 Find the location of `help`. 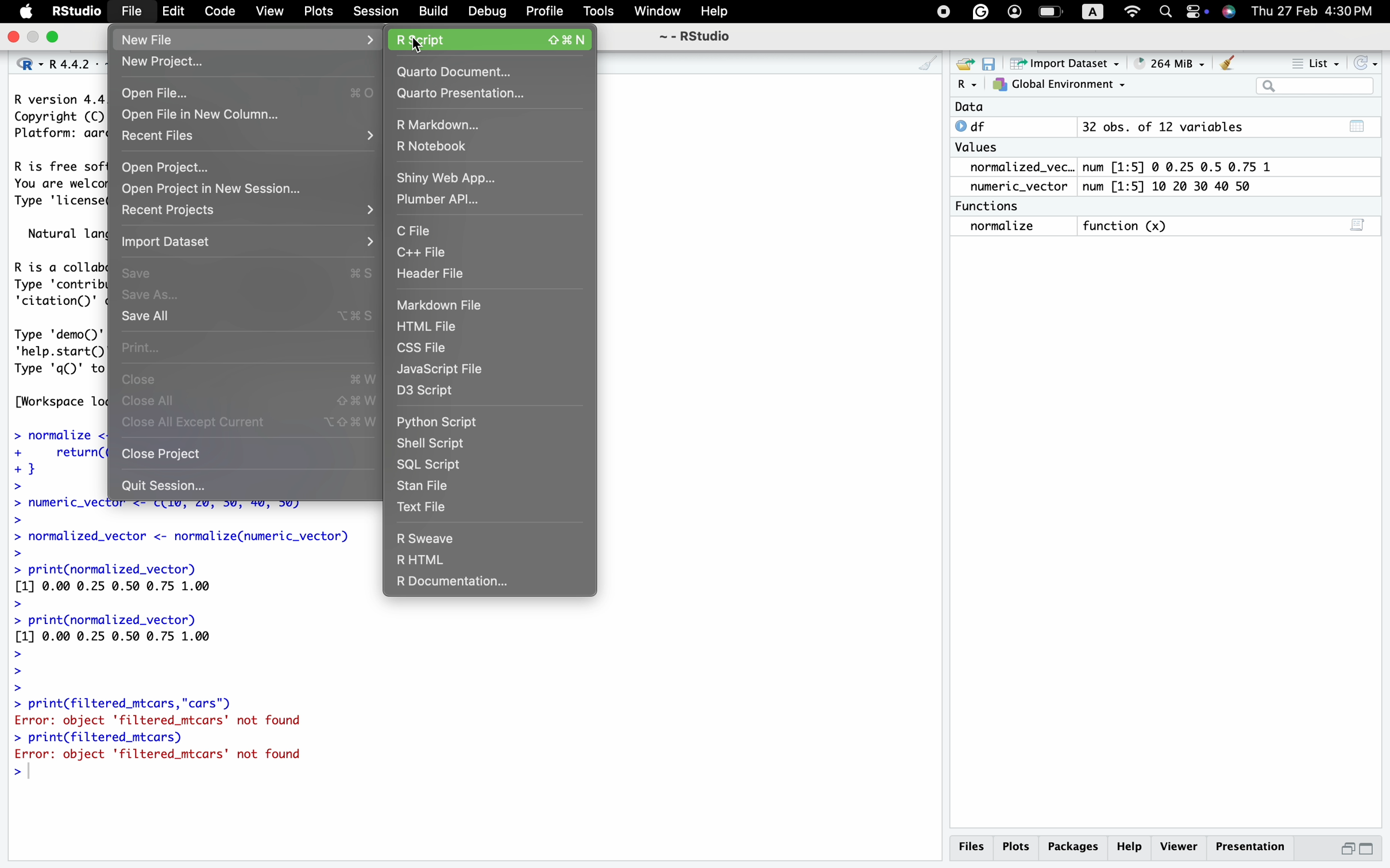

help is located at coordinates (711, 10).